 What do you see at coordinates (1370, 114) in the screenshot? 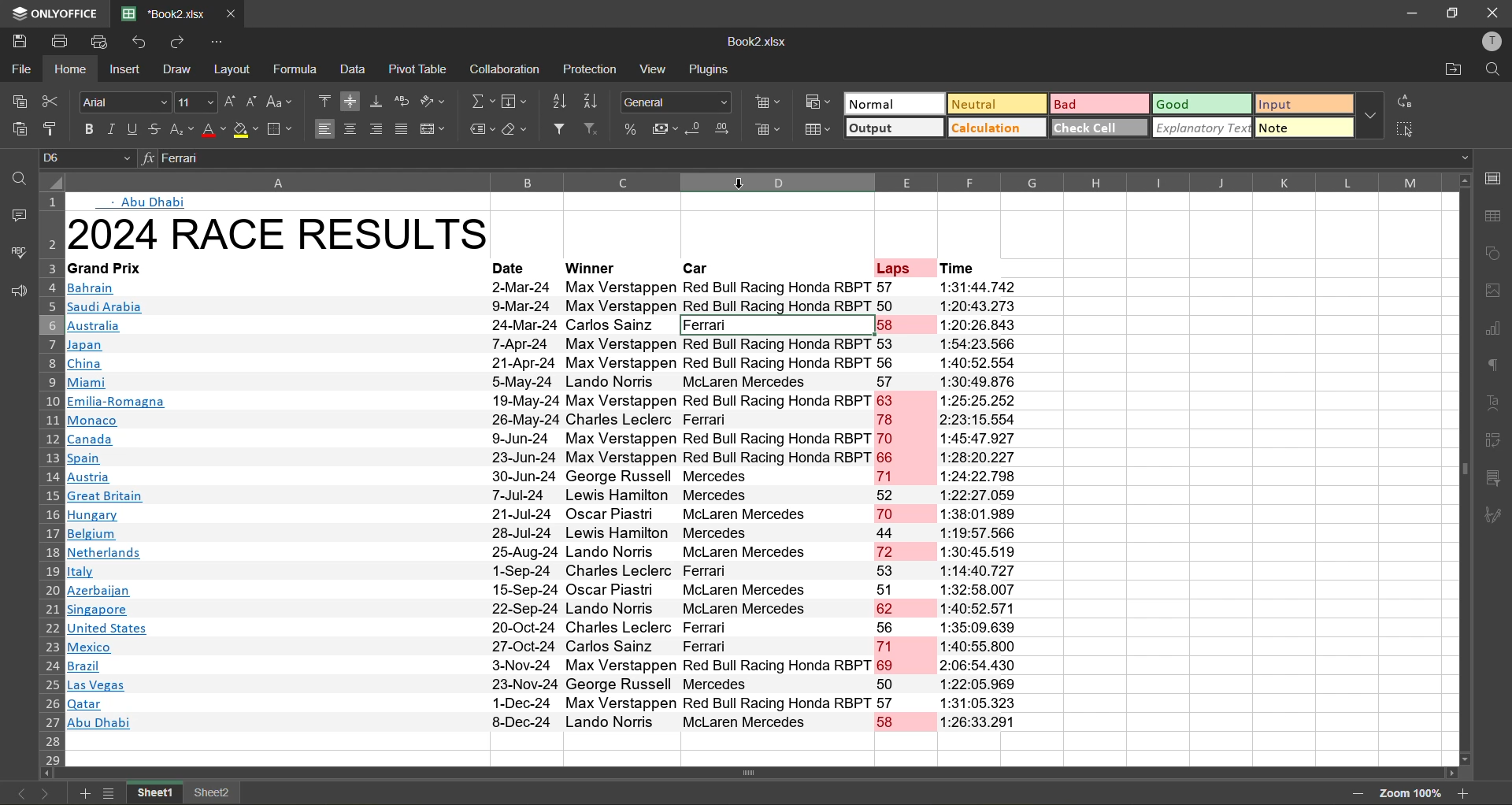
I see `more options` at bounding box center [1370, 114].